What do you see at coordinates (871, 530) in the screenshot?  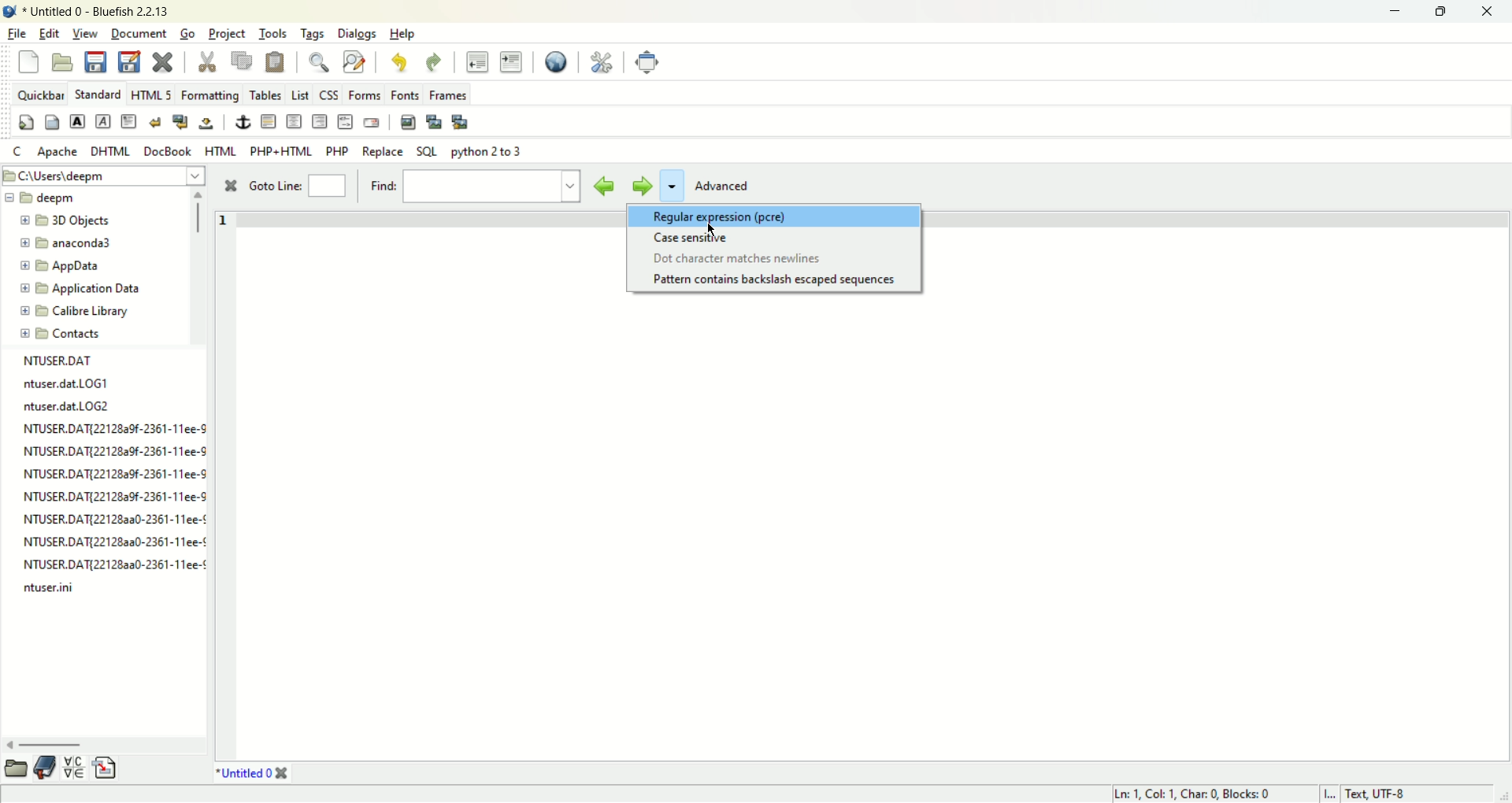 I see `workspace` at bounding box center [871, 530].